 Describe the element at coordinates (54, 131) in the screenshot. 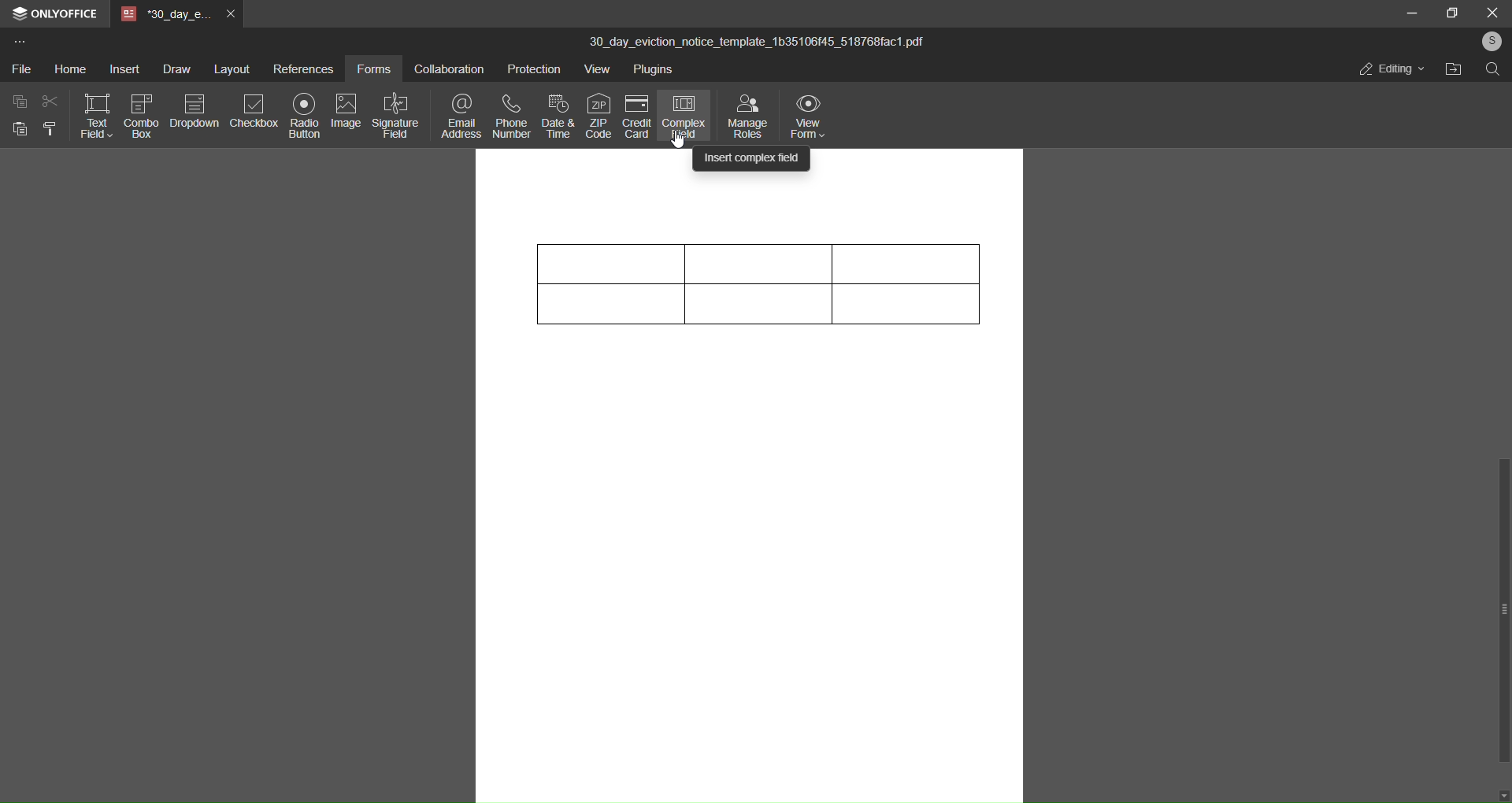

I see `format` at that location.